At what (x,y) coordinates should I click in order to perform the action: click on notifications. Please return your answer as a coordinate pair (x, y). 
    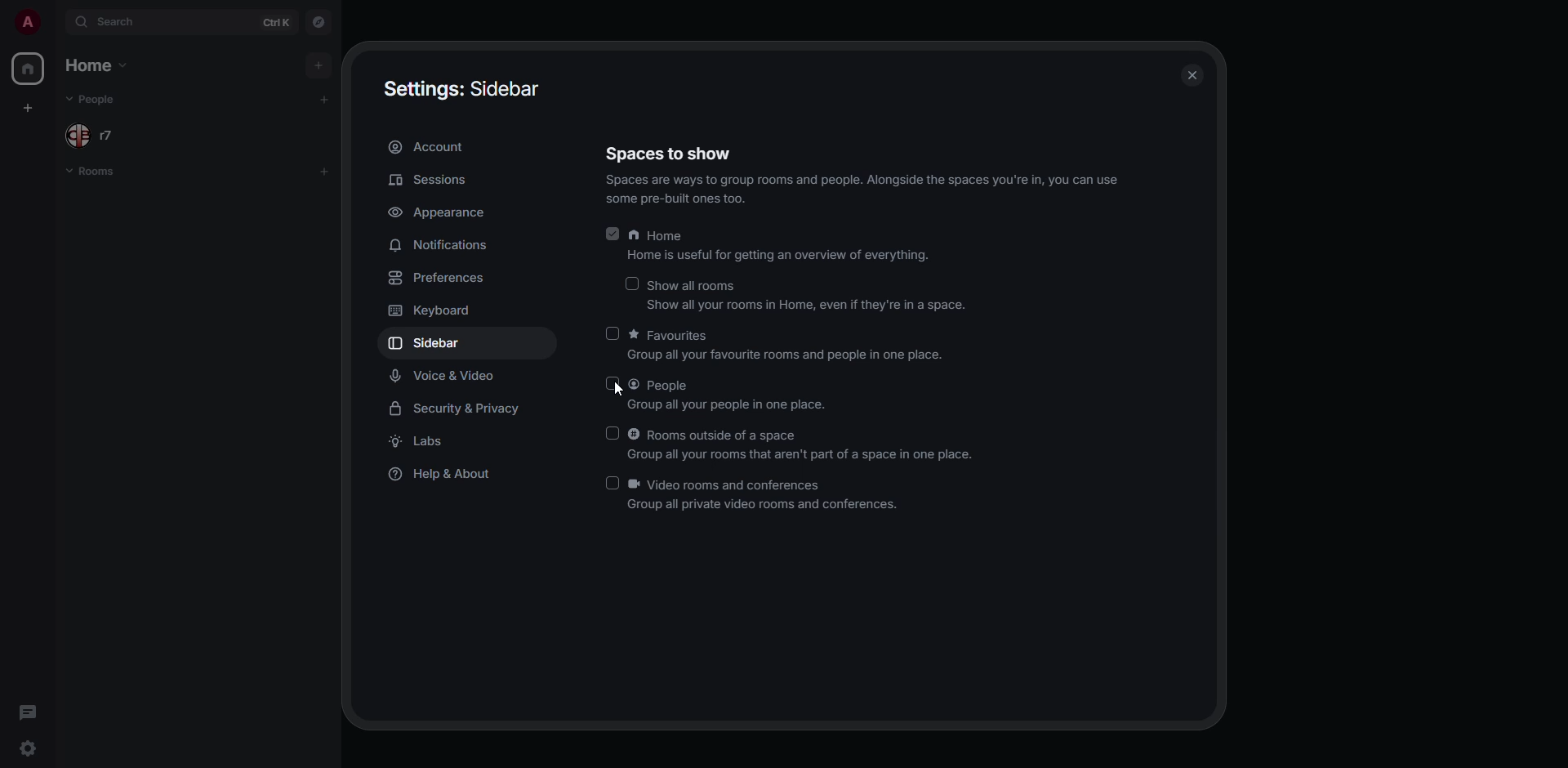
    Looking at the image, I should click on (442, 246).